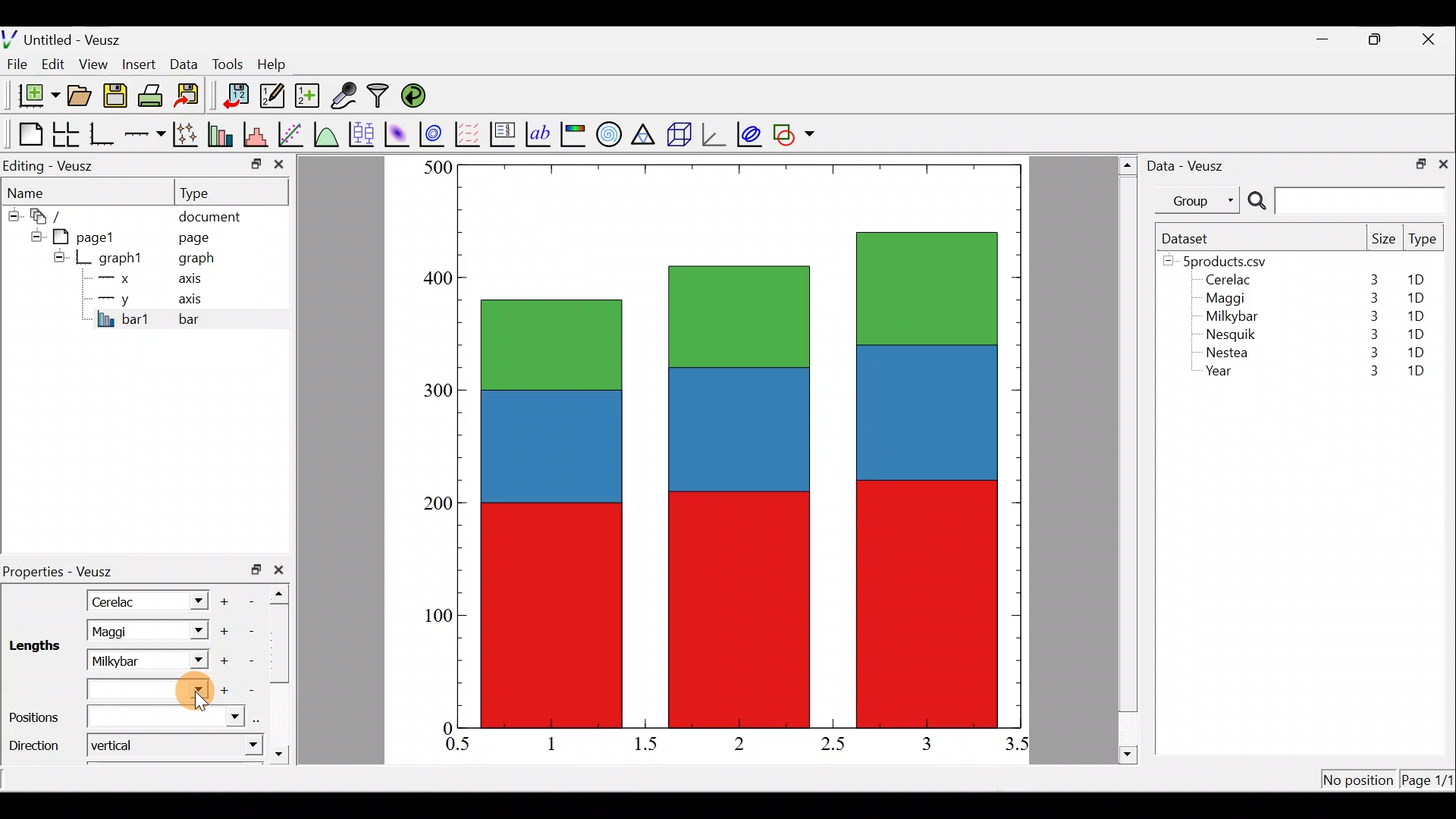 The width and height of the screenshot is (1456, 819). Describe the element at coordinates (52, 165) in the screenshot. I see `Editing - Veusz` at that location.